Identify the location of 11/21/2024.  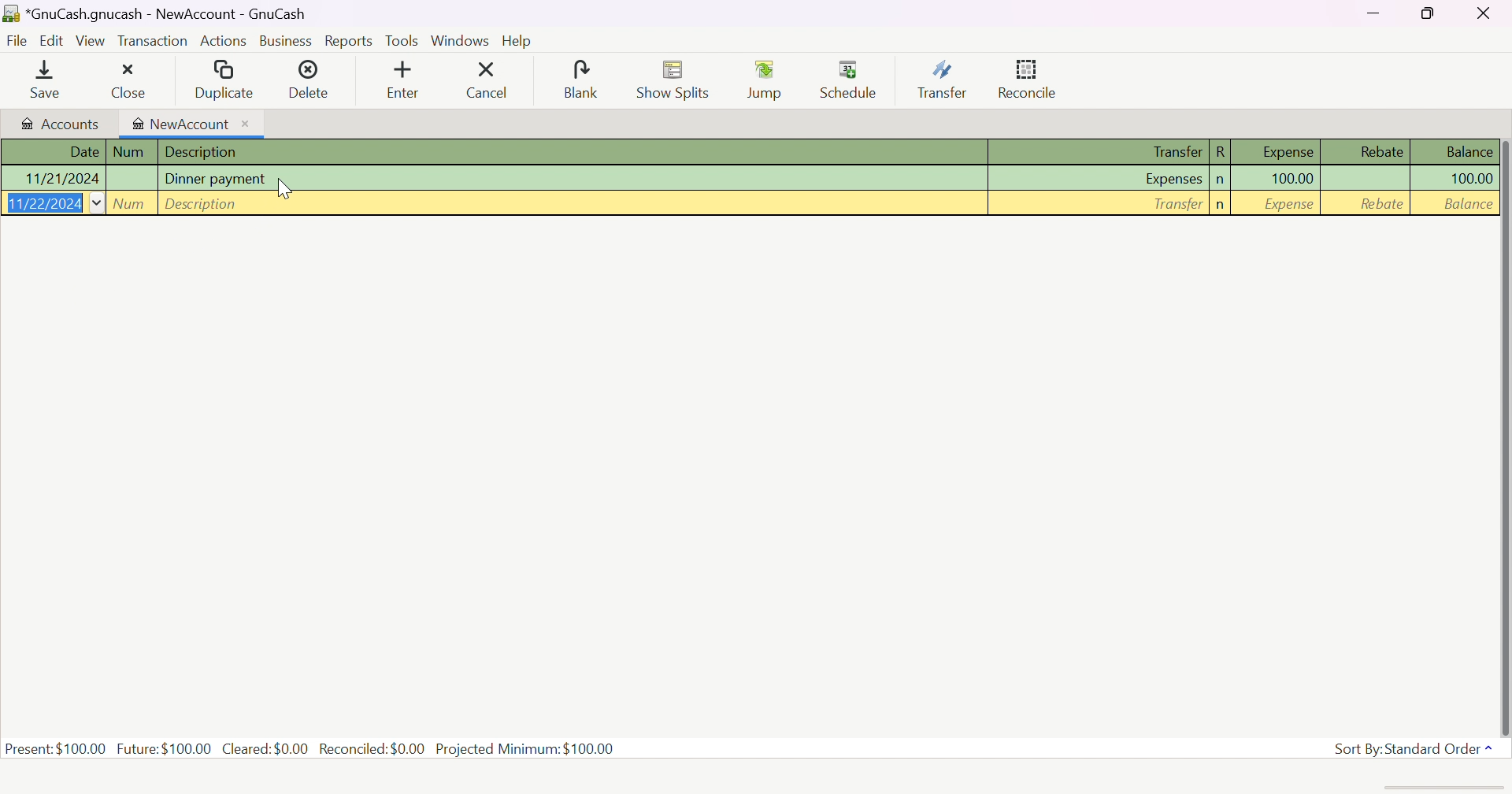
(60, 178).